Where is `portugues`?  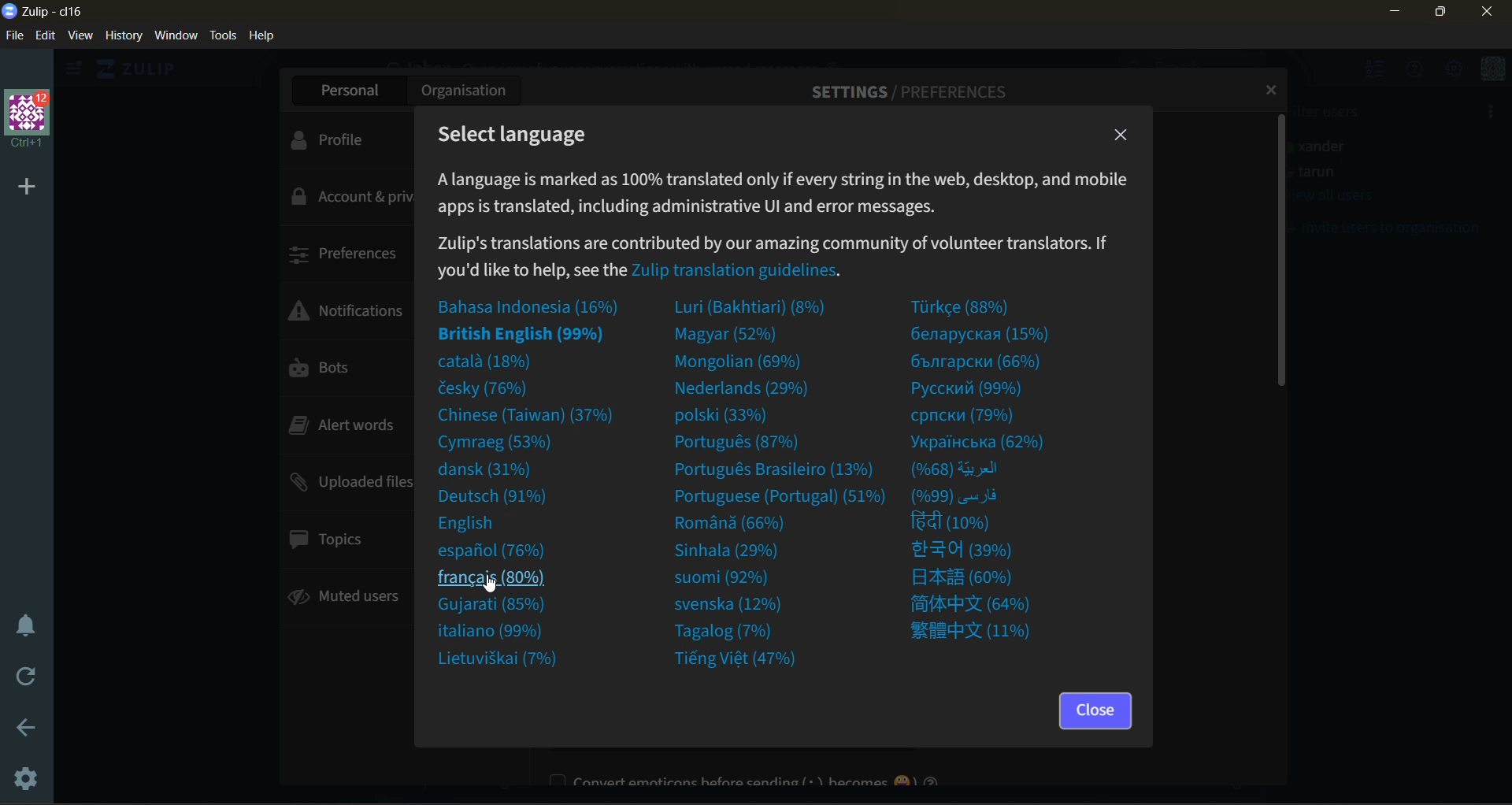
portugues is located at coordinates (745, 442).